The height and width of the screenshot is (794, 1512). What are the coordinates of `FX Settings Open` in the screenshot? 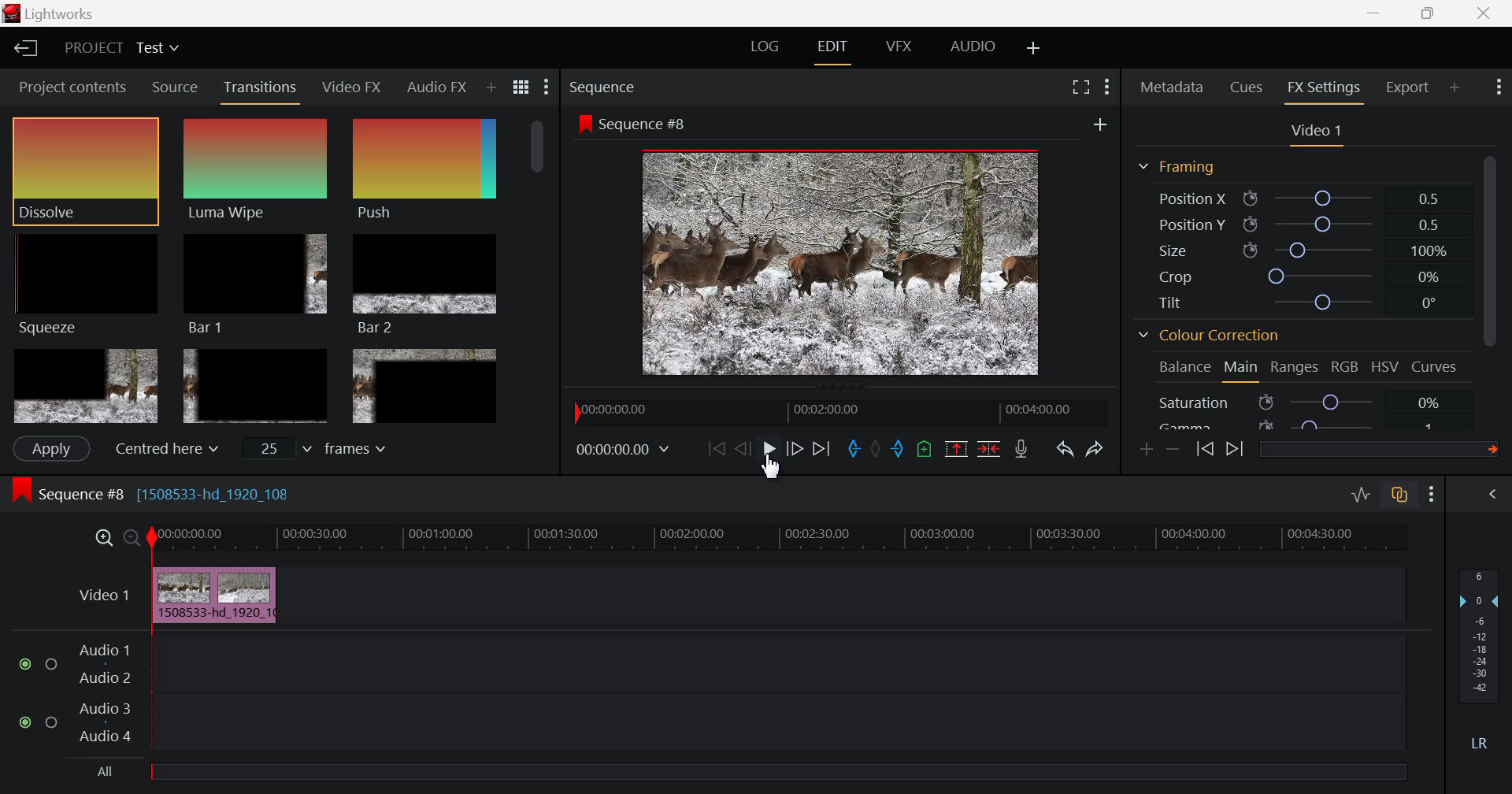 It's located at (1324, 90).